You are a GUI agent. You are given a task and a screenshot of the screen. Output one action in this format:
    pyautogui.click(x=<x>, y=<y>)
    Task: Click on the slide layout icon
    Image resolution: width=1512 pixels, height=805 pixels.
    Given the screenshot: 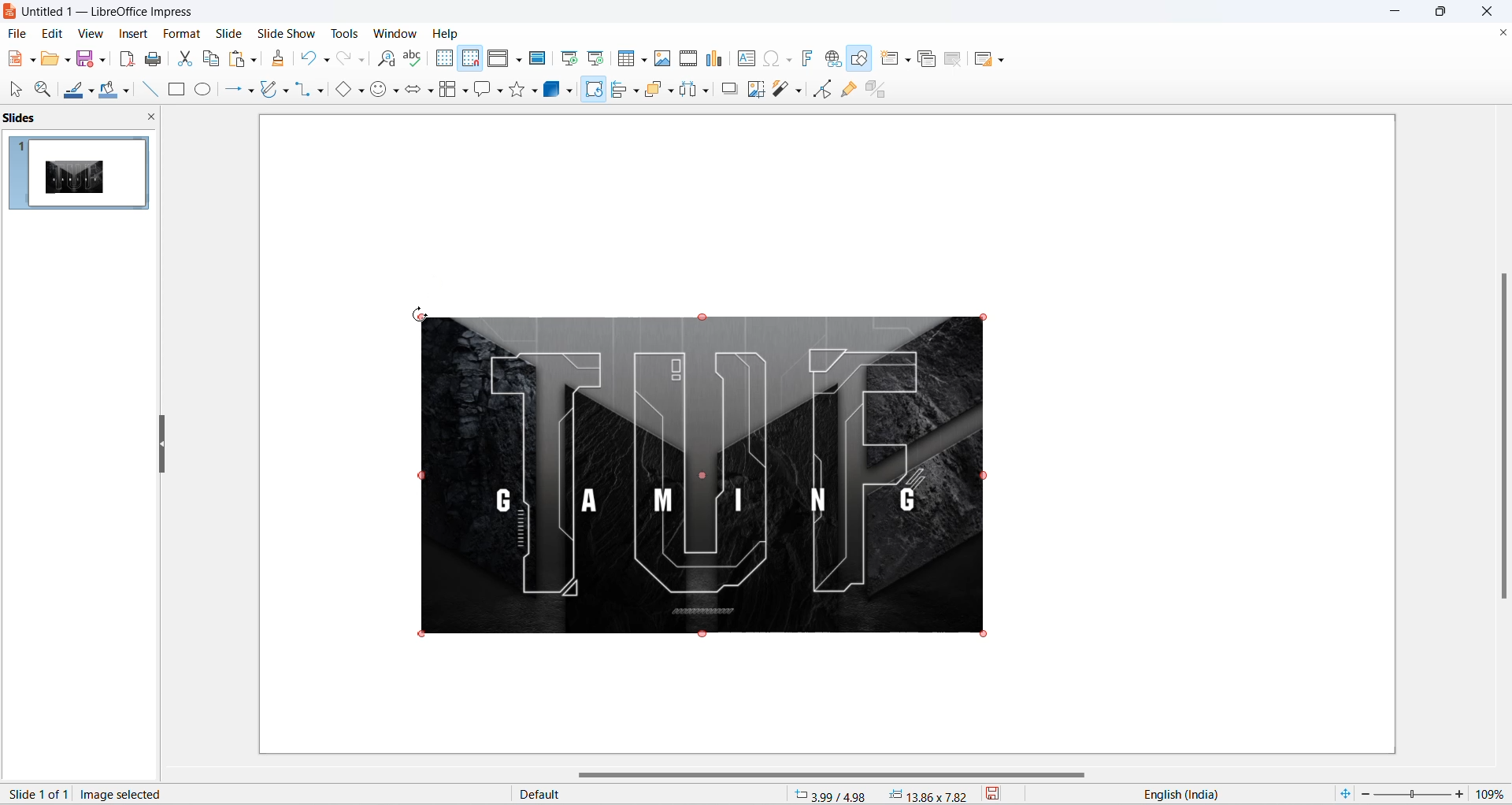 What is the action you would take?
    pyautogui.click(x=985, y=61)
    